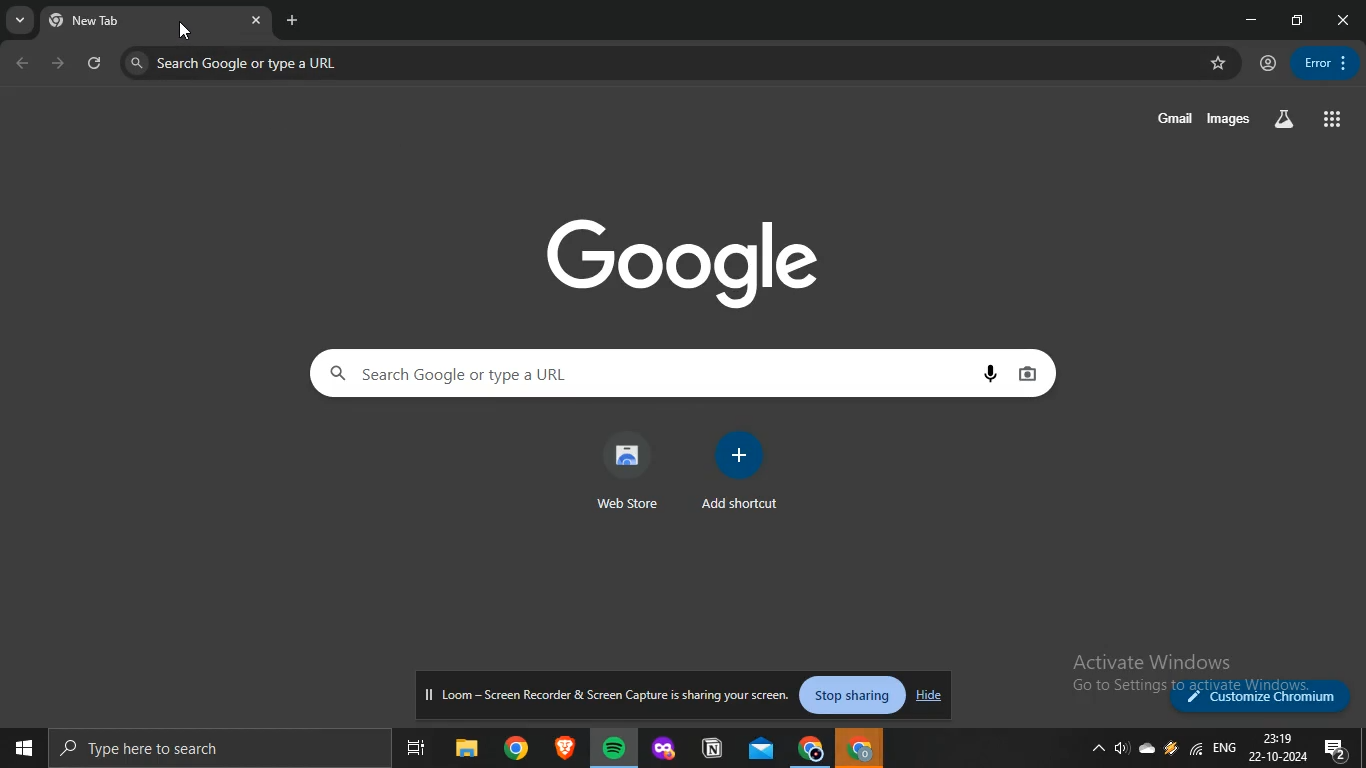 This screenshot has width=1366, height=768. What do you see at coordinates (641, 374) in the screenshot?
I see `search google or type a url` at bounding box center [641, 374].